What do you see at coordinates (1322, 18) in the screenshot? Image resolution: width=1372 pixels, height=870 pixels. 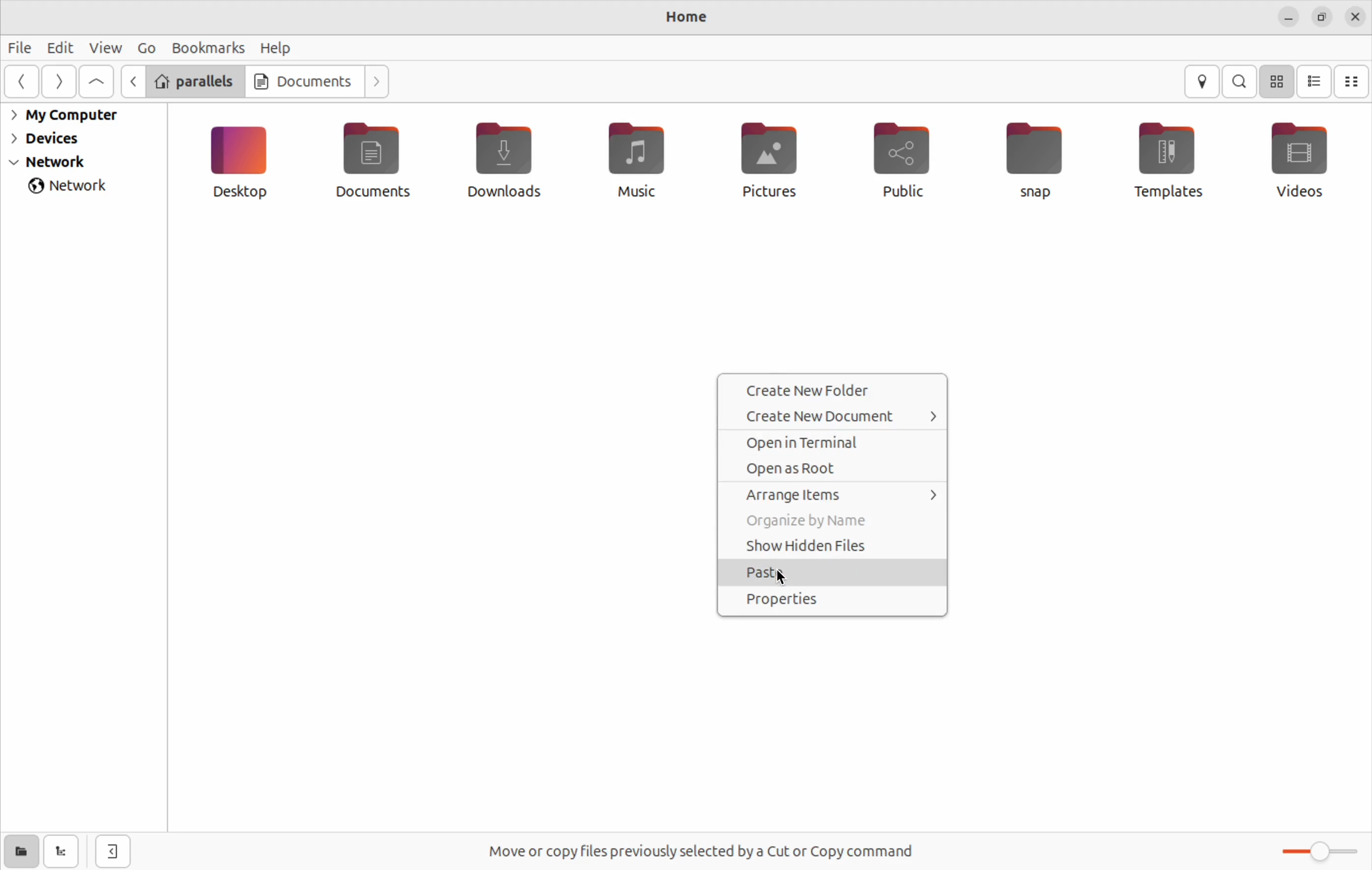 I see `resize` at bounding box center [1322, 18].